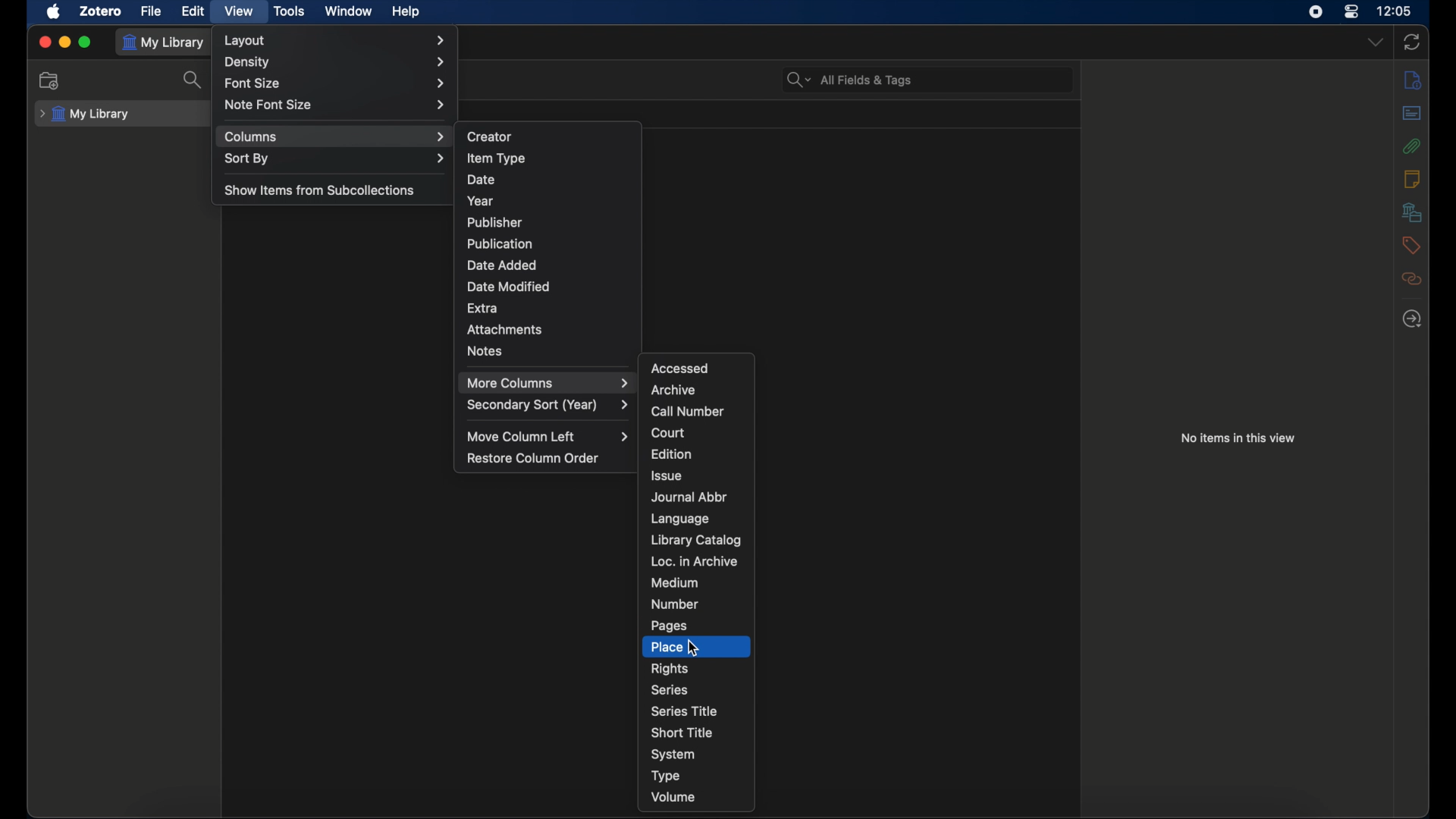 The image size is (1456, 819). What do you see at coordinates (850, 80) in the screenshot?
I see `search bar` at bounding box center [850, 80].